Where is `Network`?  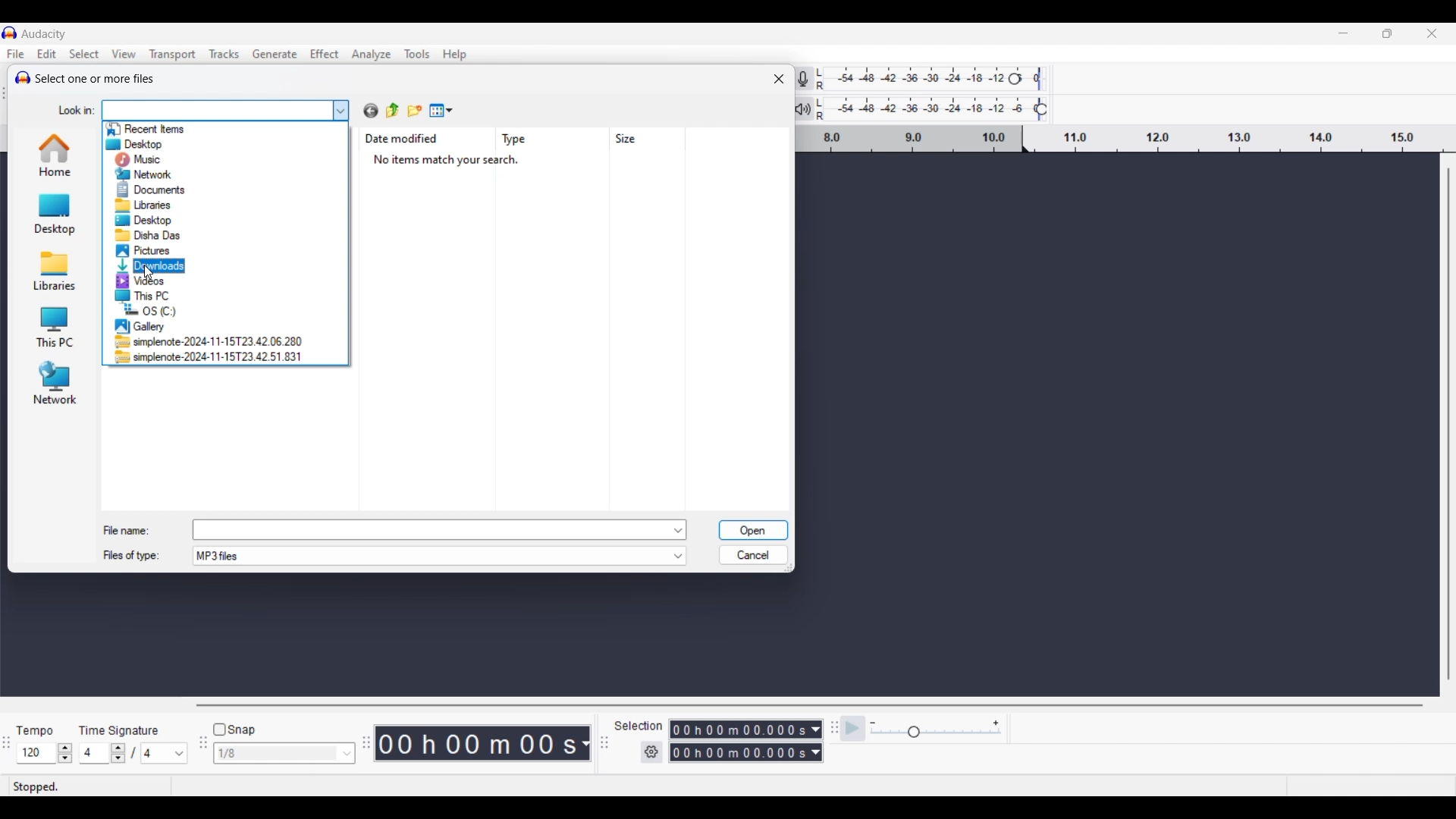
Network is located at coordinates (148, 174).